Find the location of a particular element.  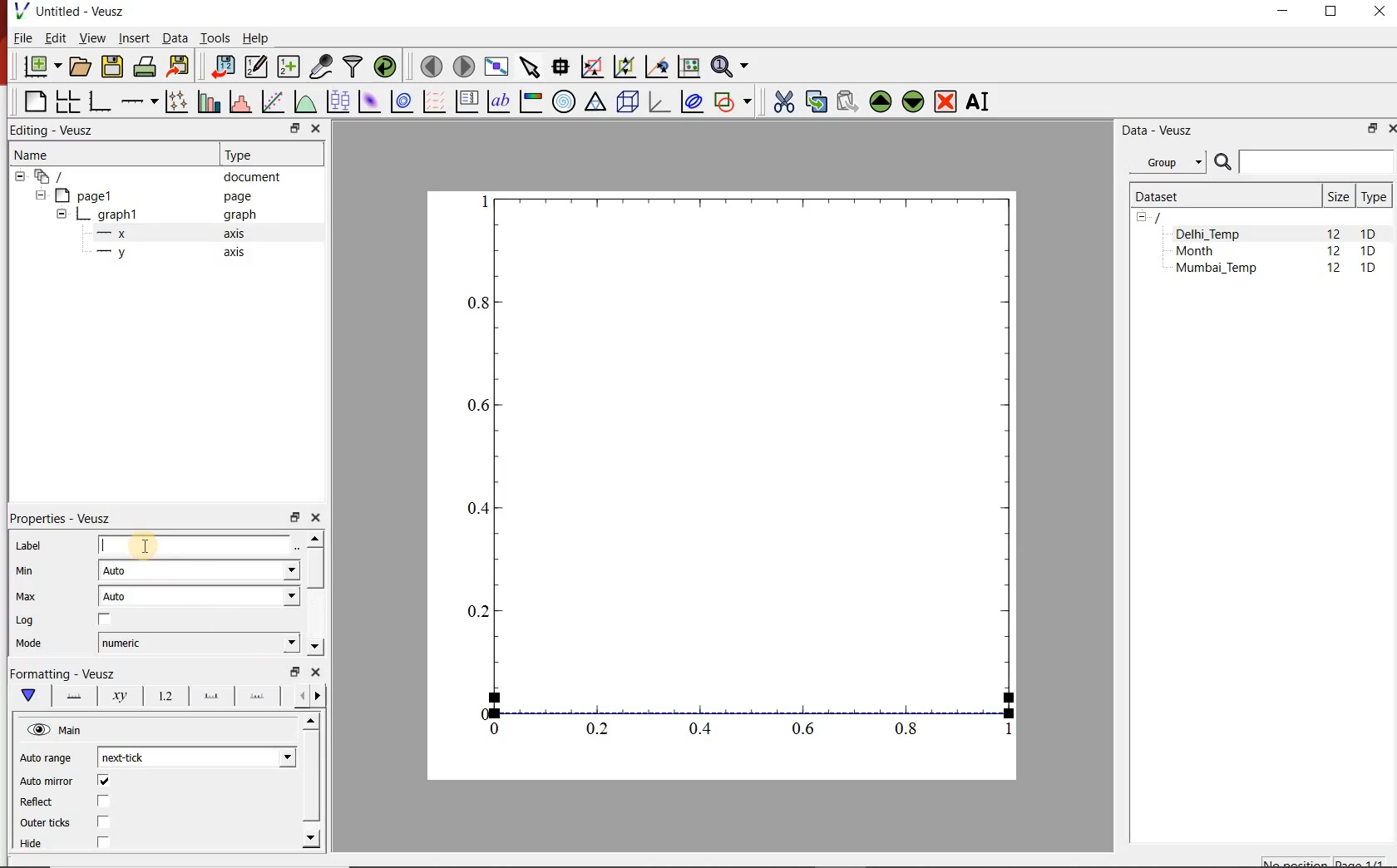

import data into Veusz is located at coordinates (221, 67).